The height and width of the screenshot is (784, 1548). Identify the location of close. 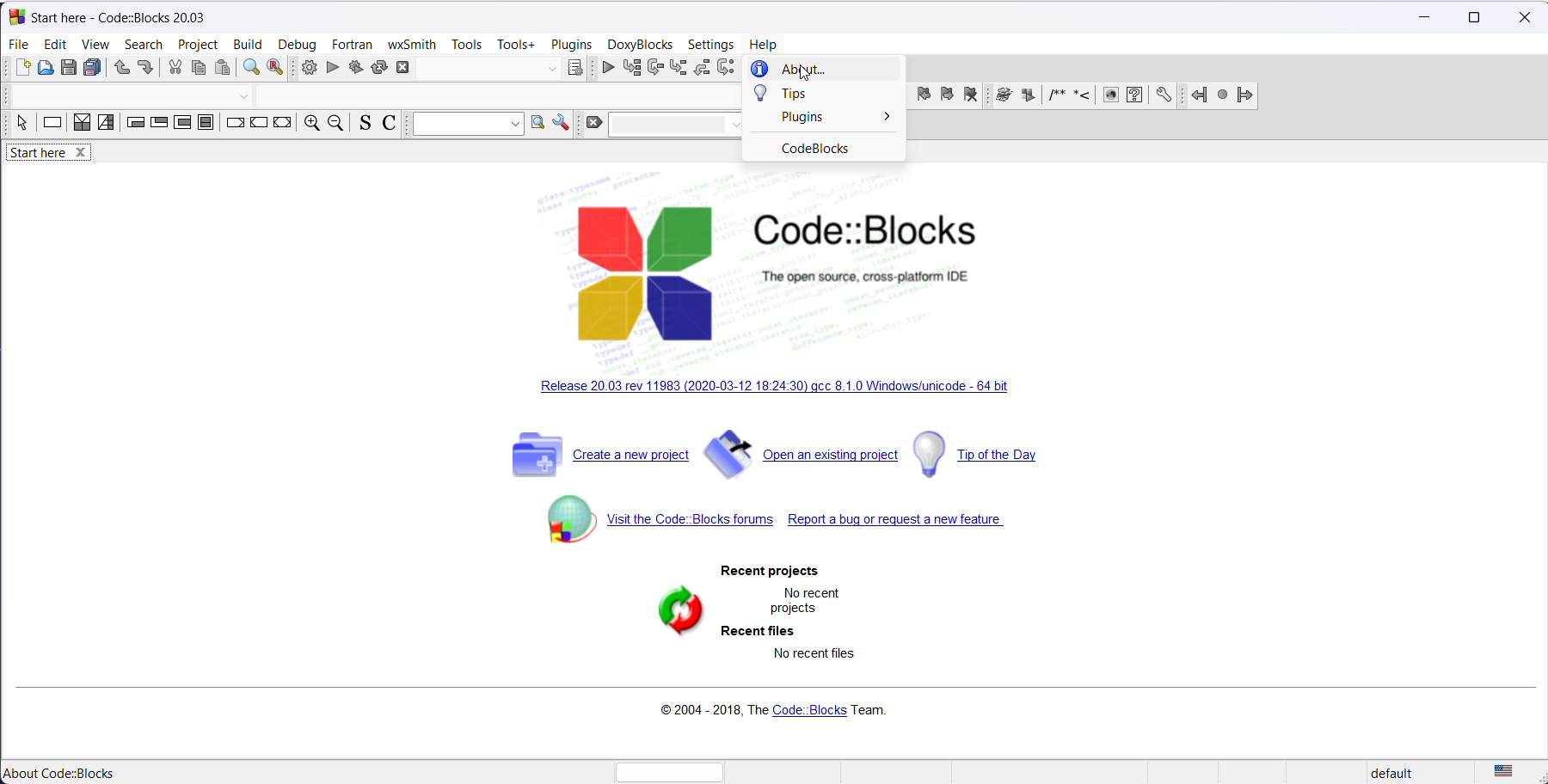
(406, 67).